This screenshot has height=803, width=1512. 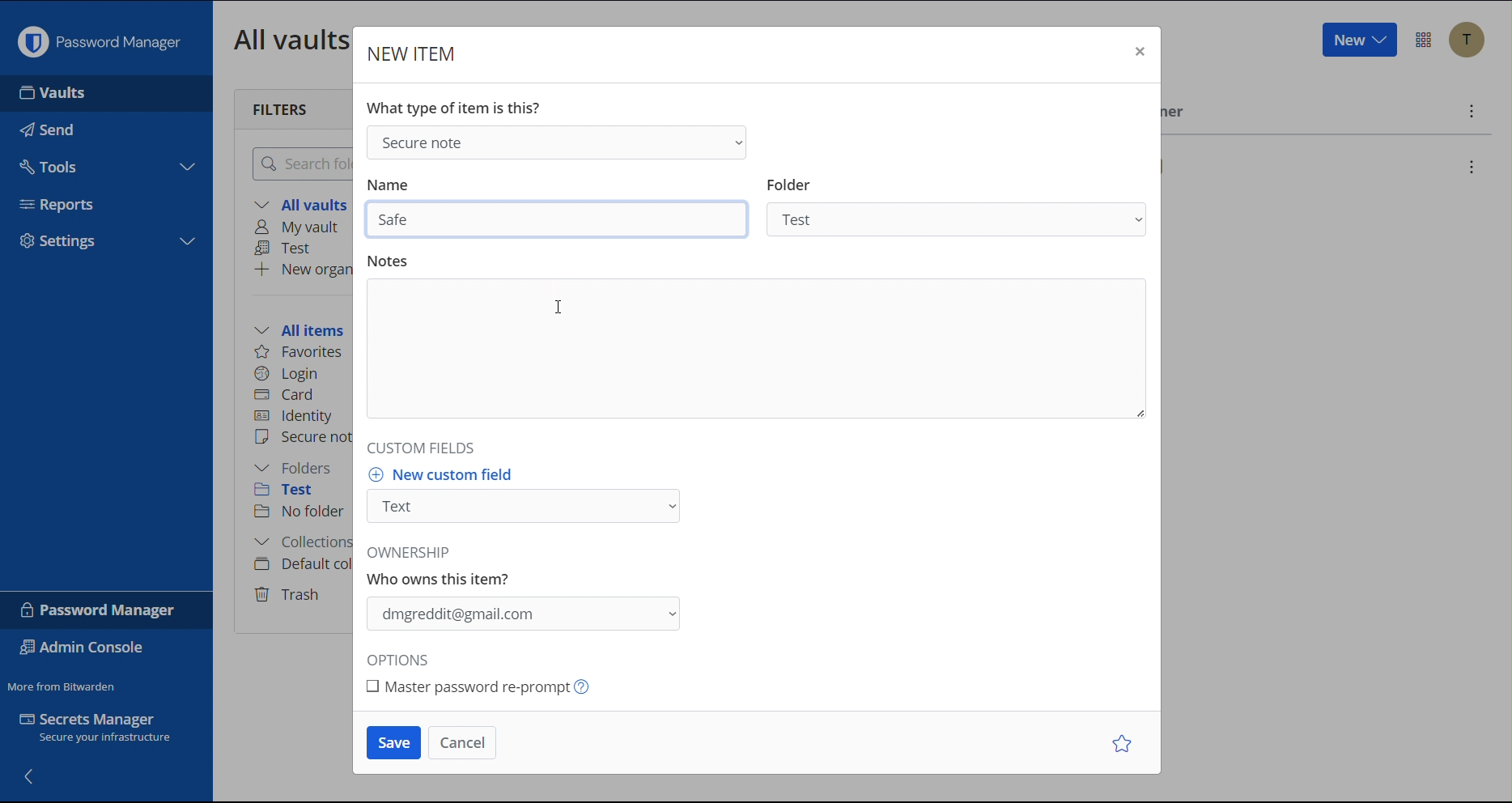 What do you see at coordinates (297, 468) in the screenshot?
I see `Folders` at bounding box center [297, 468].